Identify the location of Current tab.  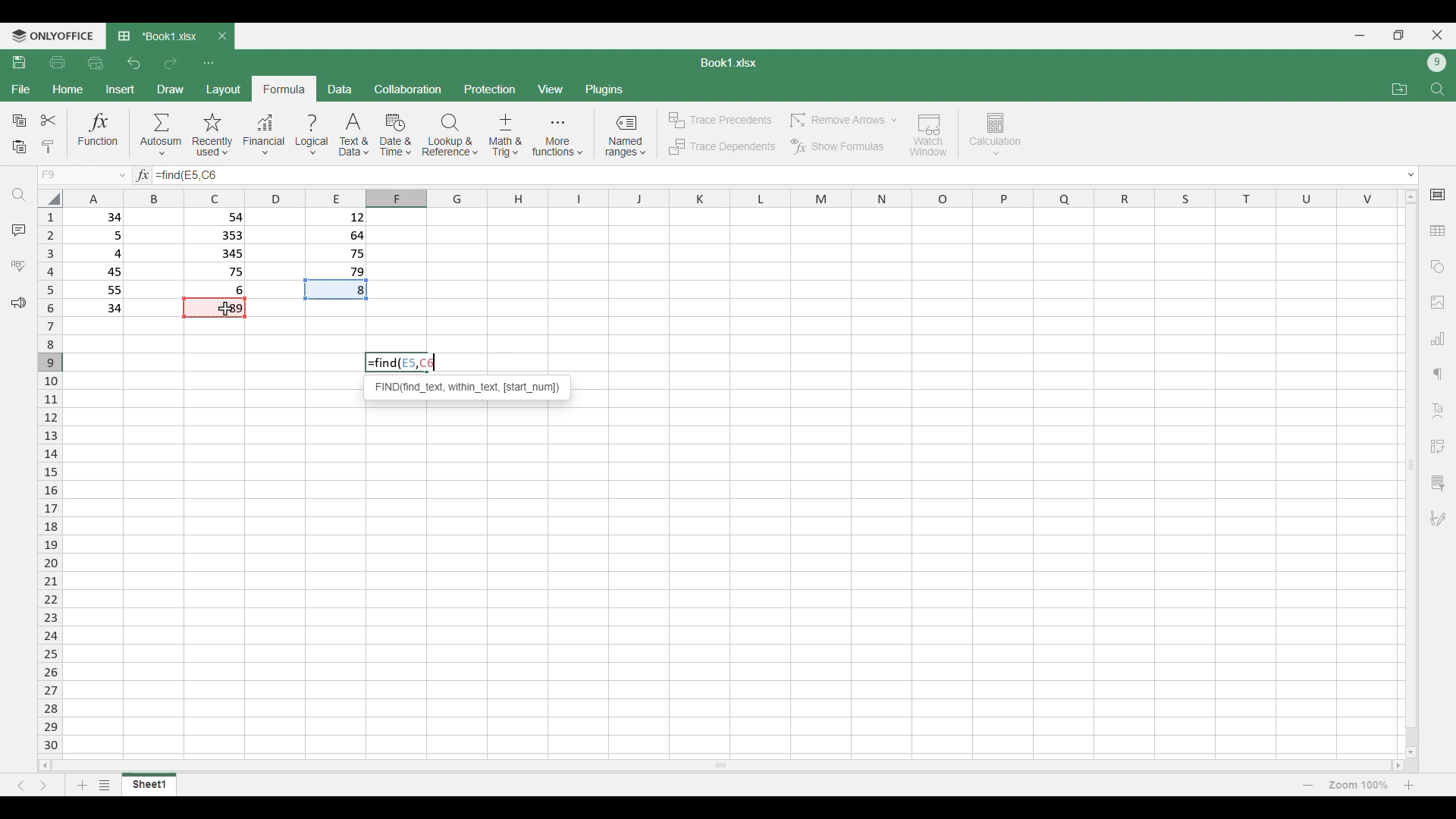
(157, 37).